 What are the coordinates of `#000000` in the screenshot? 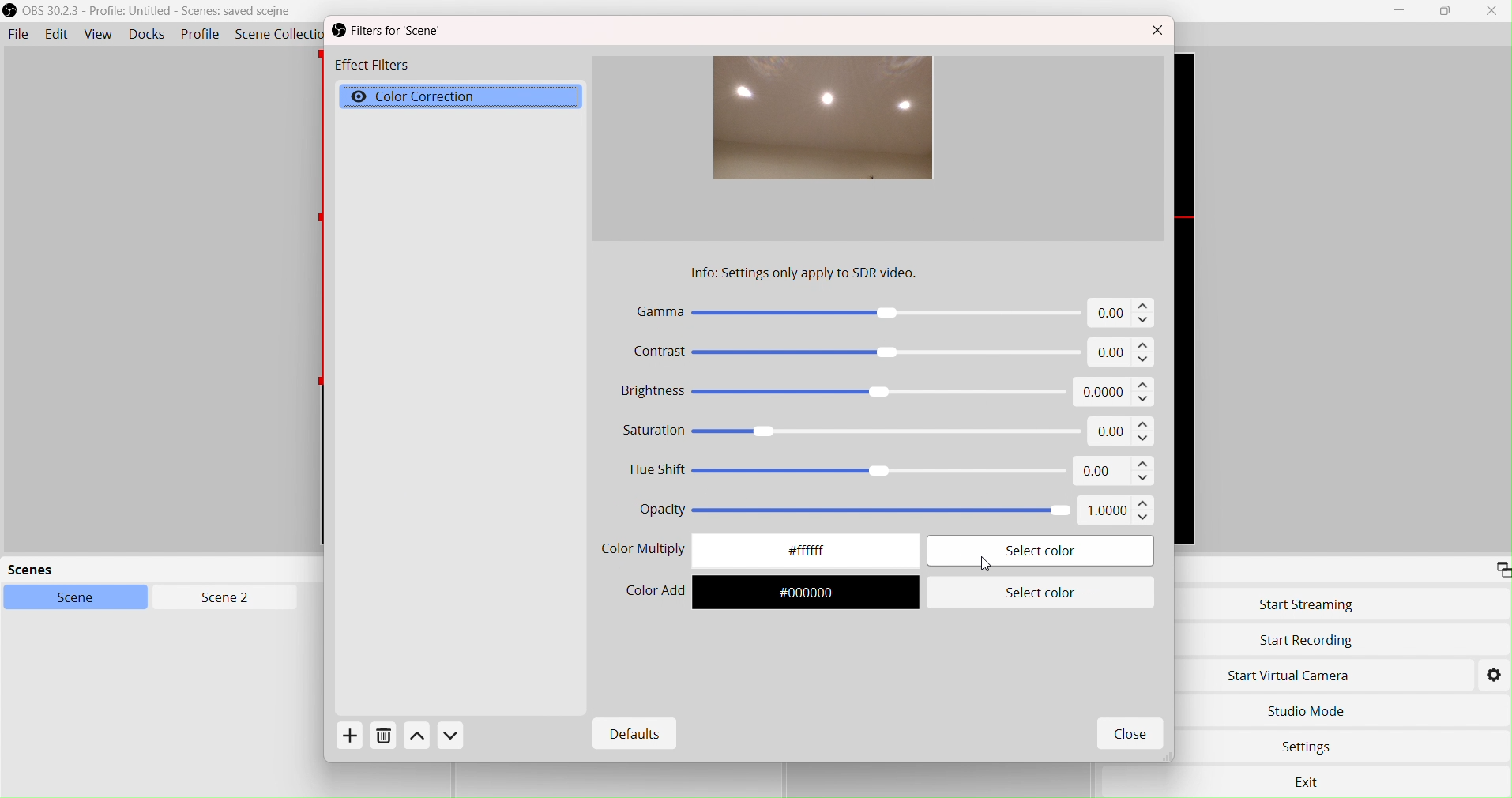 It's located at (819, 594).